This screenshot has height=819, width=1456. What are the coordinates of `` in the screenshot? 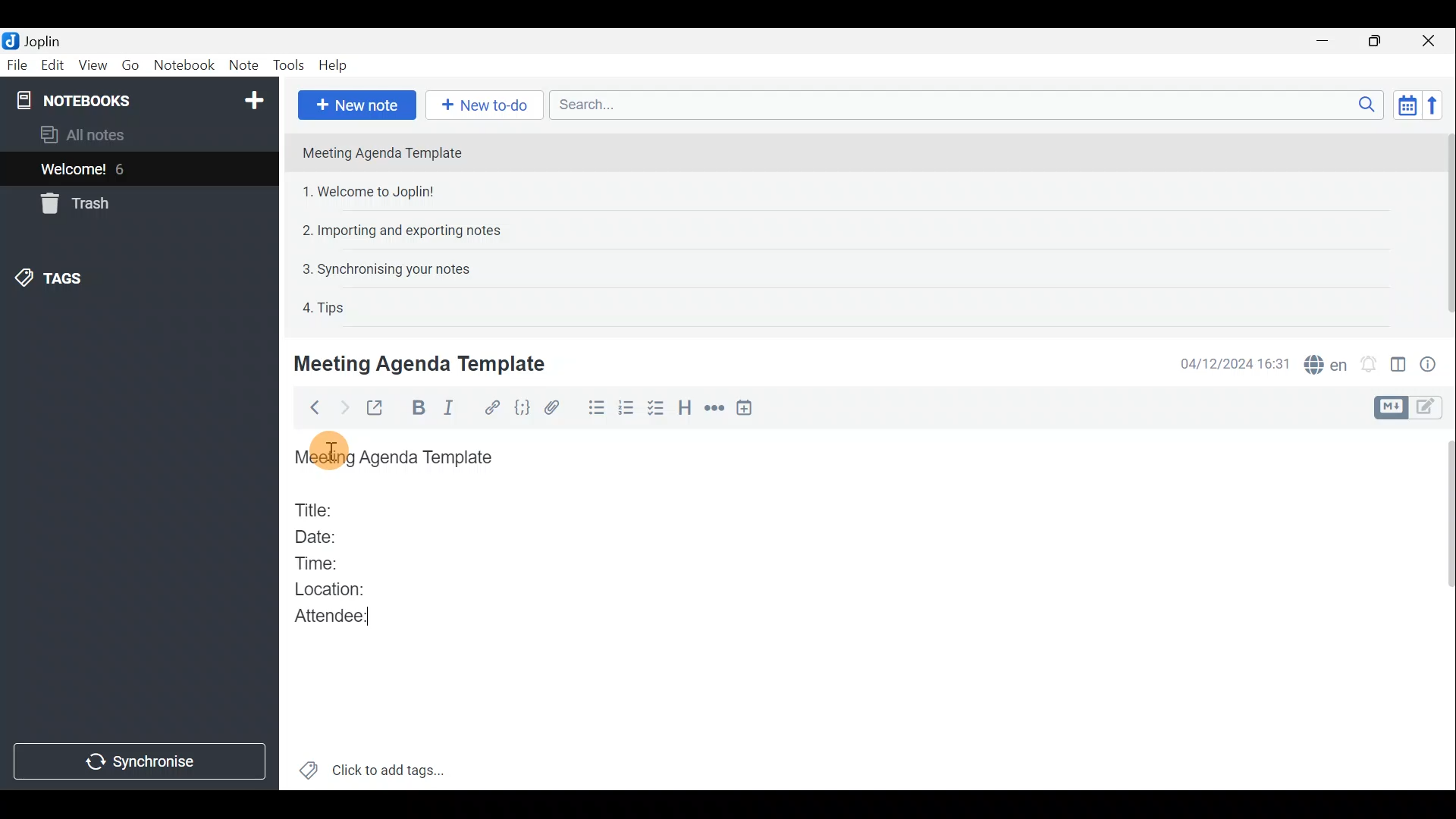 It's located at (331, 454).